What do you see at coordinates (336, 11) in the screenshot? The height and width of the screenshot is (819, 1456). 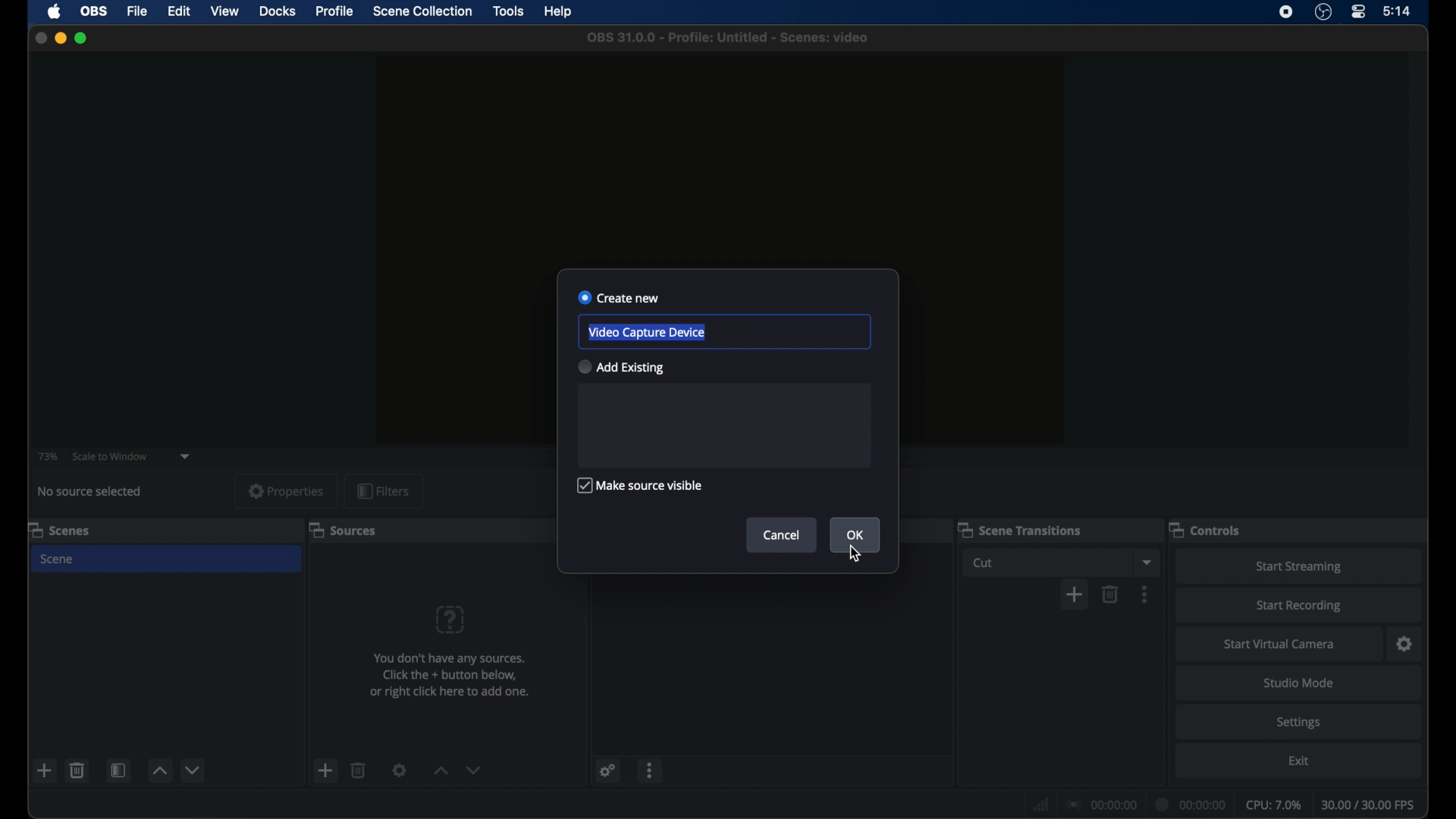 I see `profile` at bounding box center [336, 11].